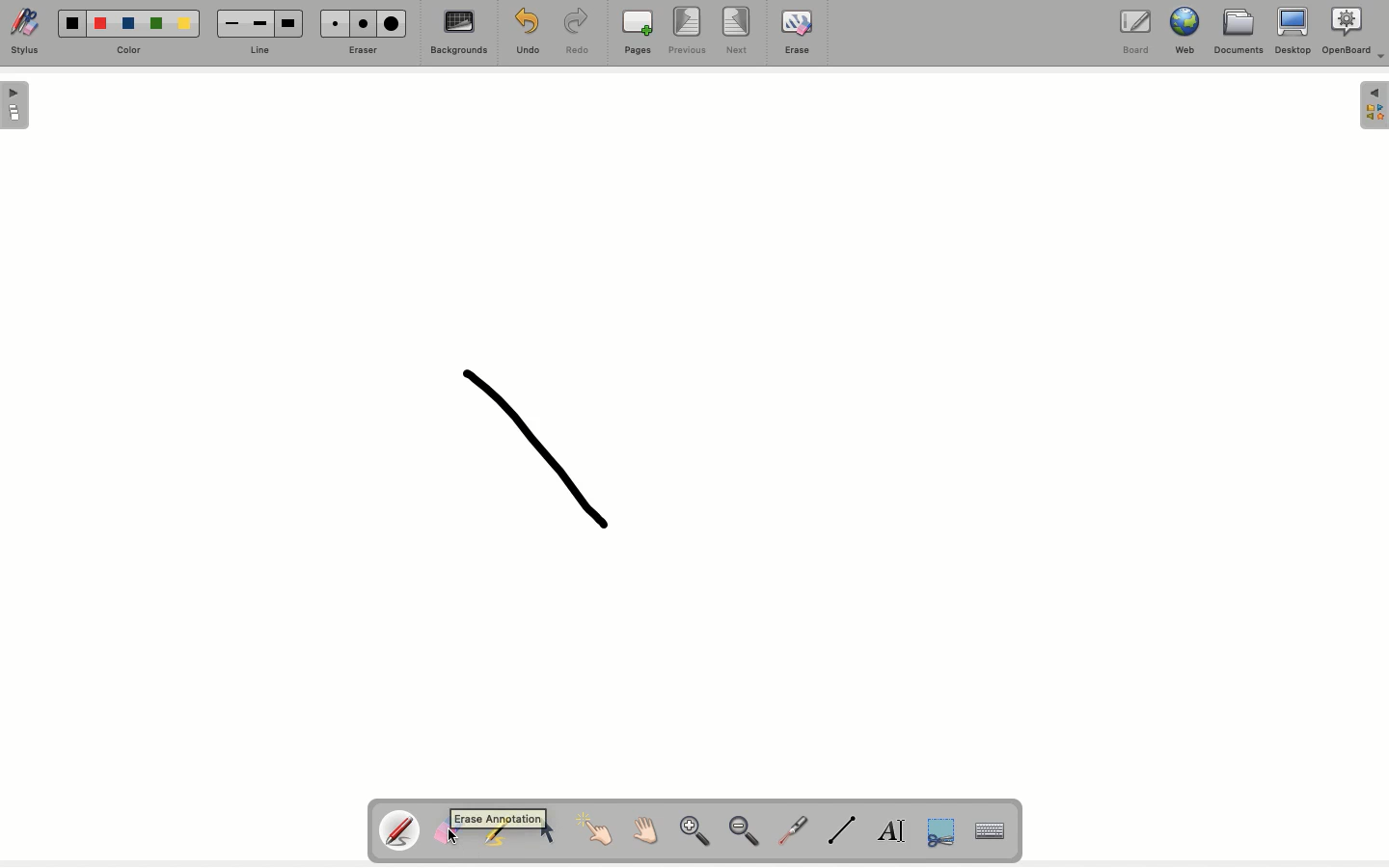  I want to click on Borad, so click(1136, 35).